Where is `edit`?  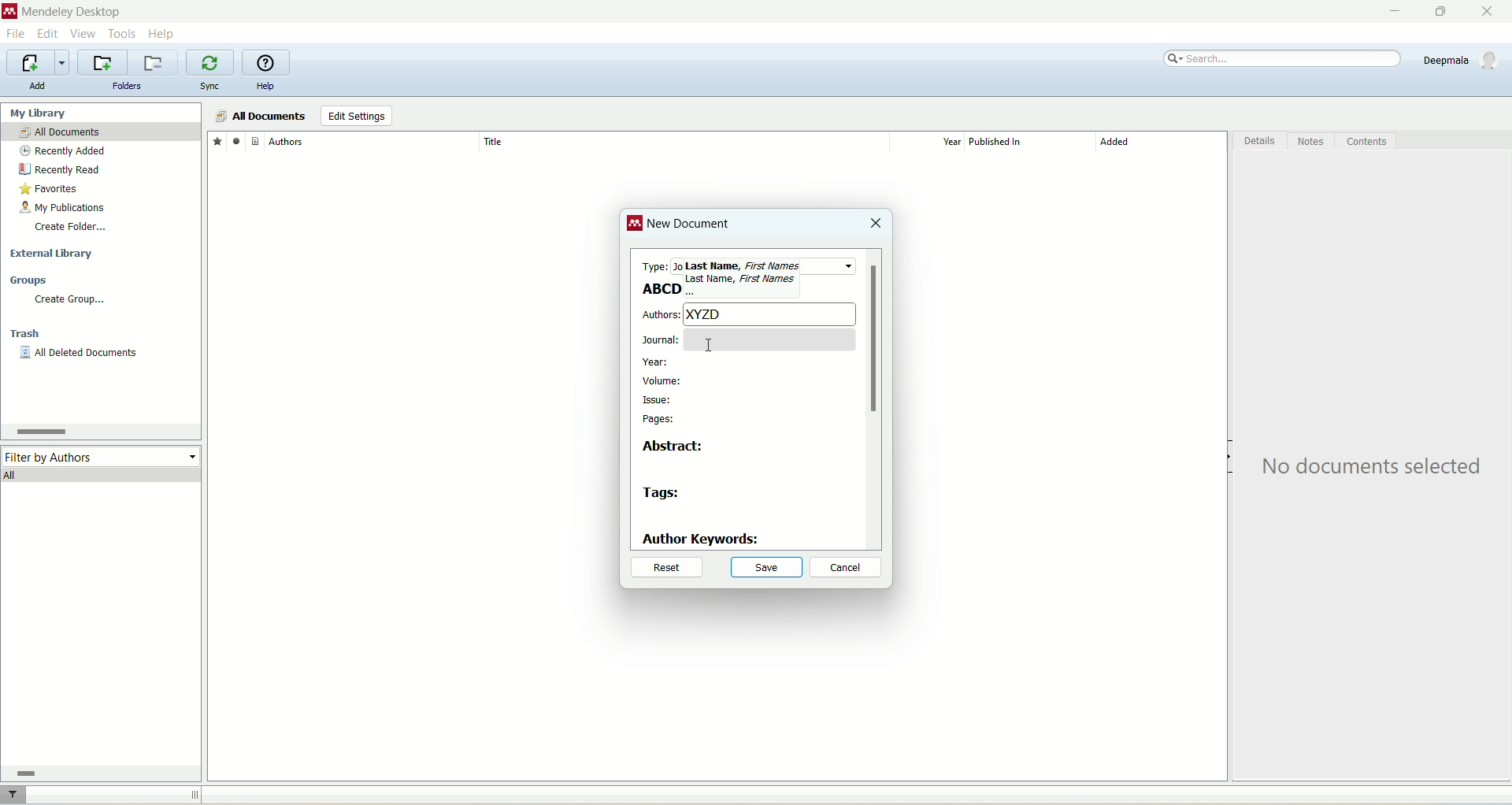 edit is located at coordinates (46, 34).